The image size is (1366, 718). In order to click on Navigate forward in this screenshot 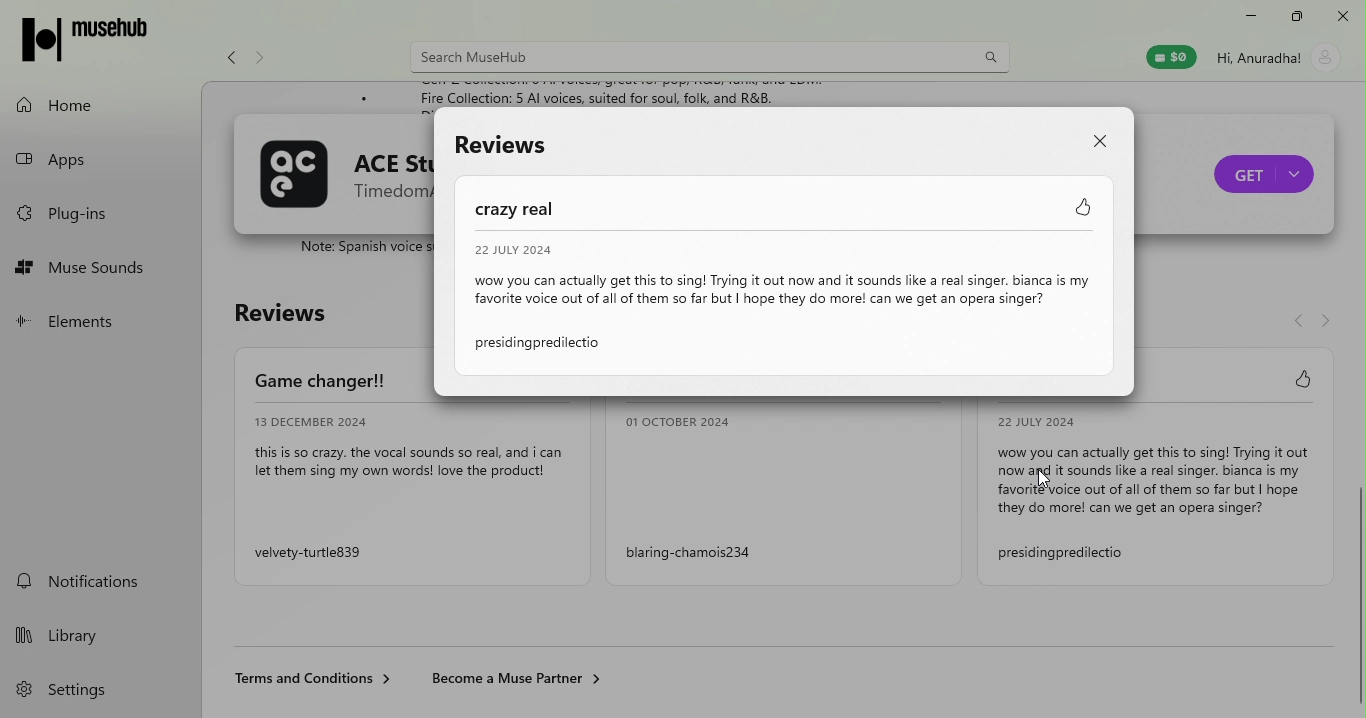, I will do `click(1327, 322)`.